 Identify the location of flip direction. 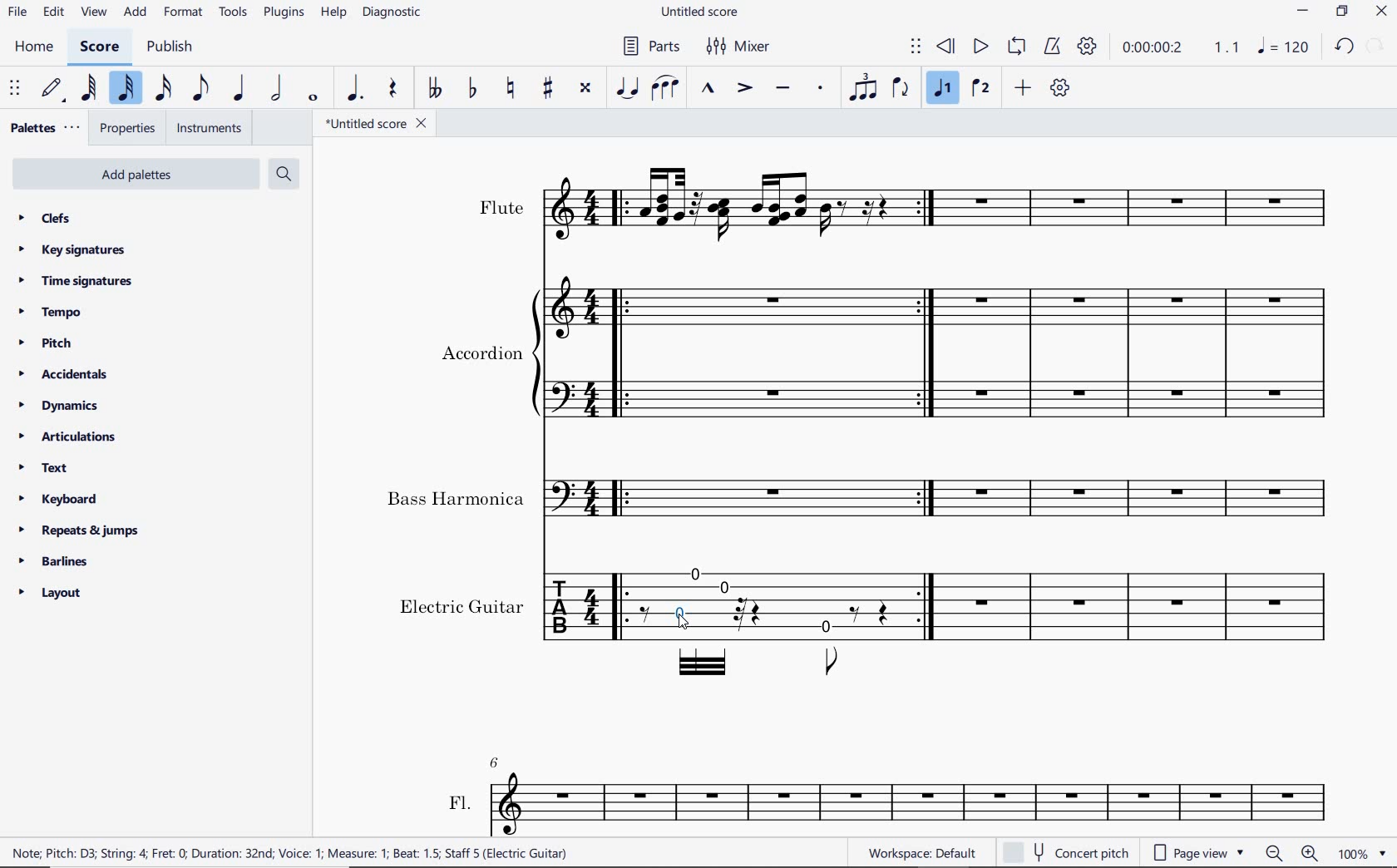
(901, 88).